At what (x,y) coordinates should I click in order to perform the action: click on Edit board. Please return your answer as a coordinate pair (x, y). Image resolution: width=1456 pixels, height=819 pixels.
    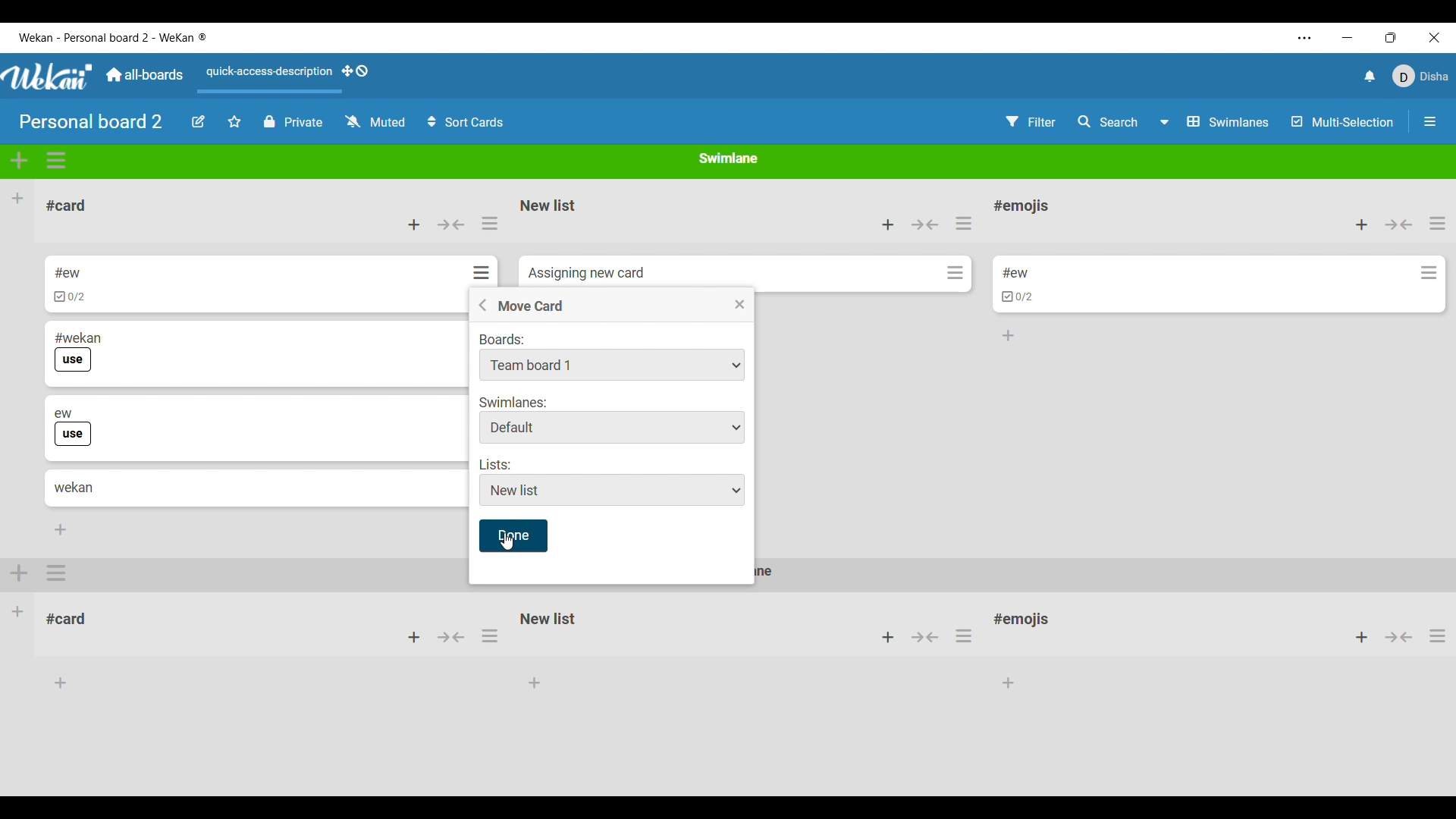
    Looking at the image, I should click on (199, 121).